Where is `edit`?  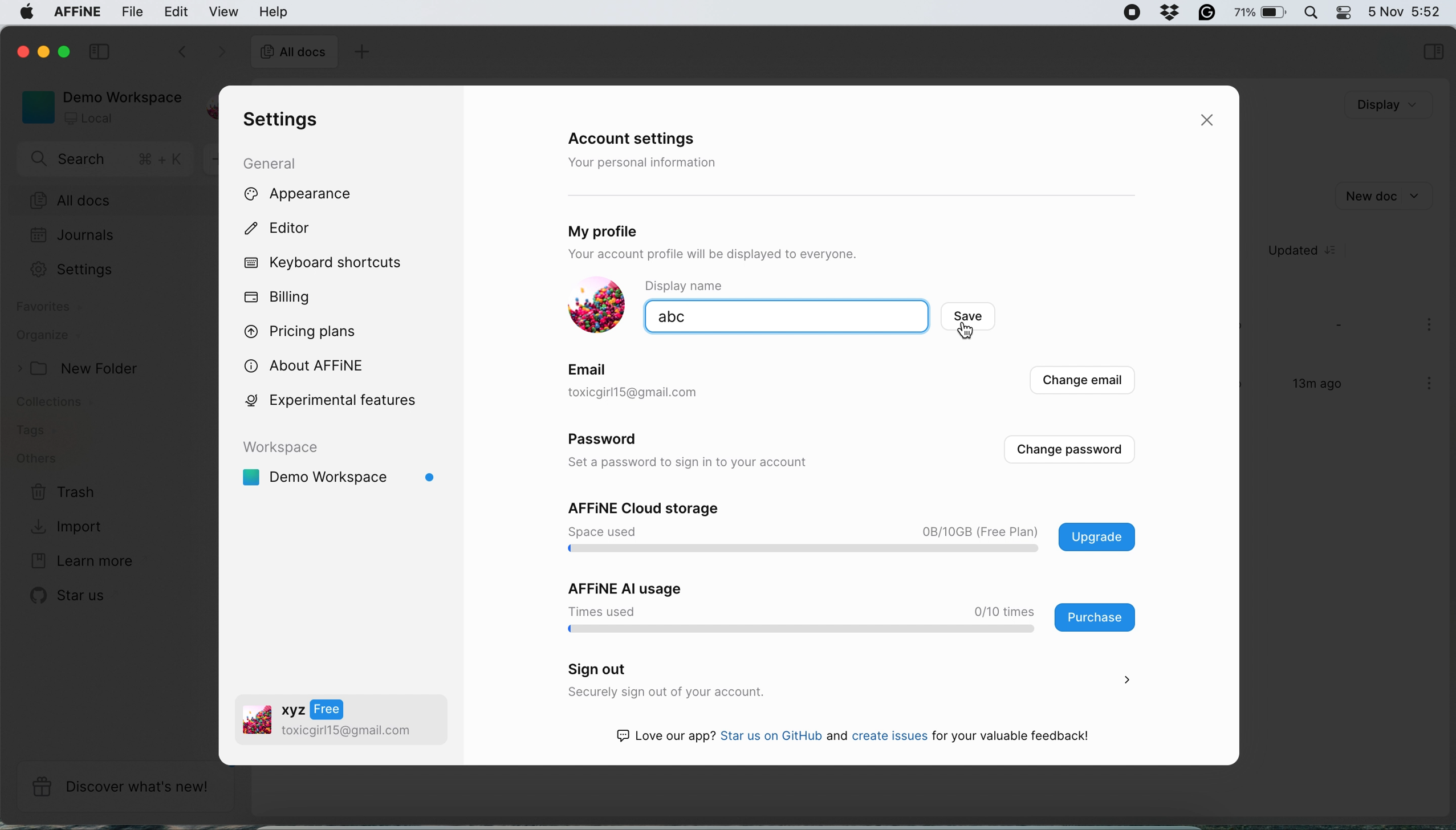
edit is located at coordinates (177, 11).